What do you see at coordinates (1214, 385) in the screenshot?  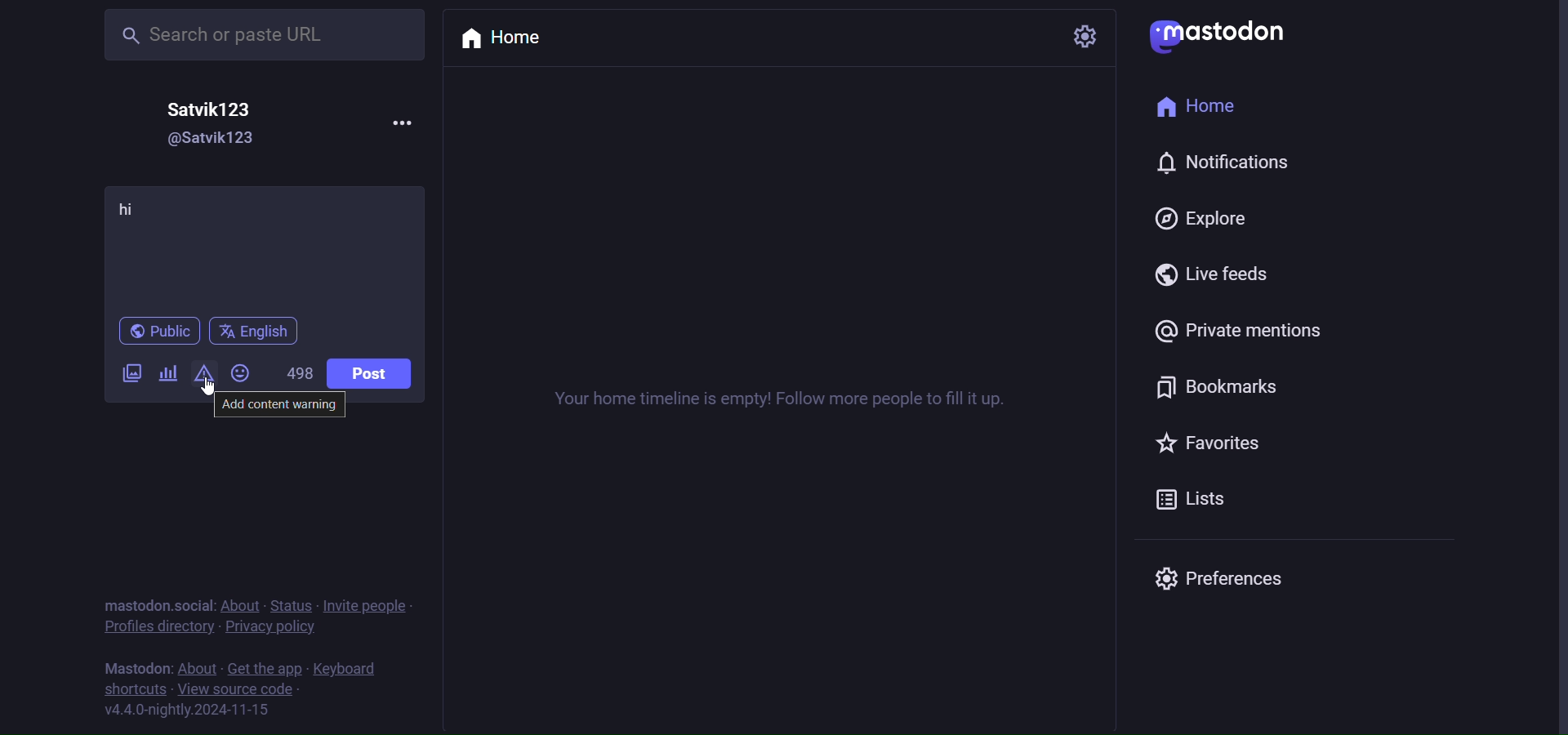 I see `bookmark` at bounding box center [1214, 385].